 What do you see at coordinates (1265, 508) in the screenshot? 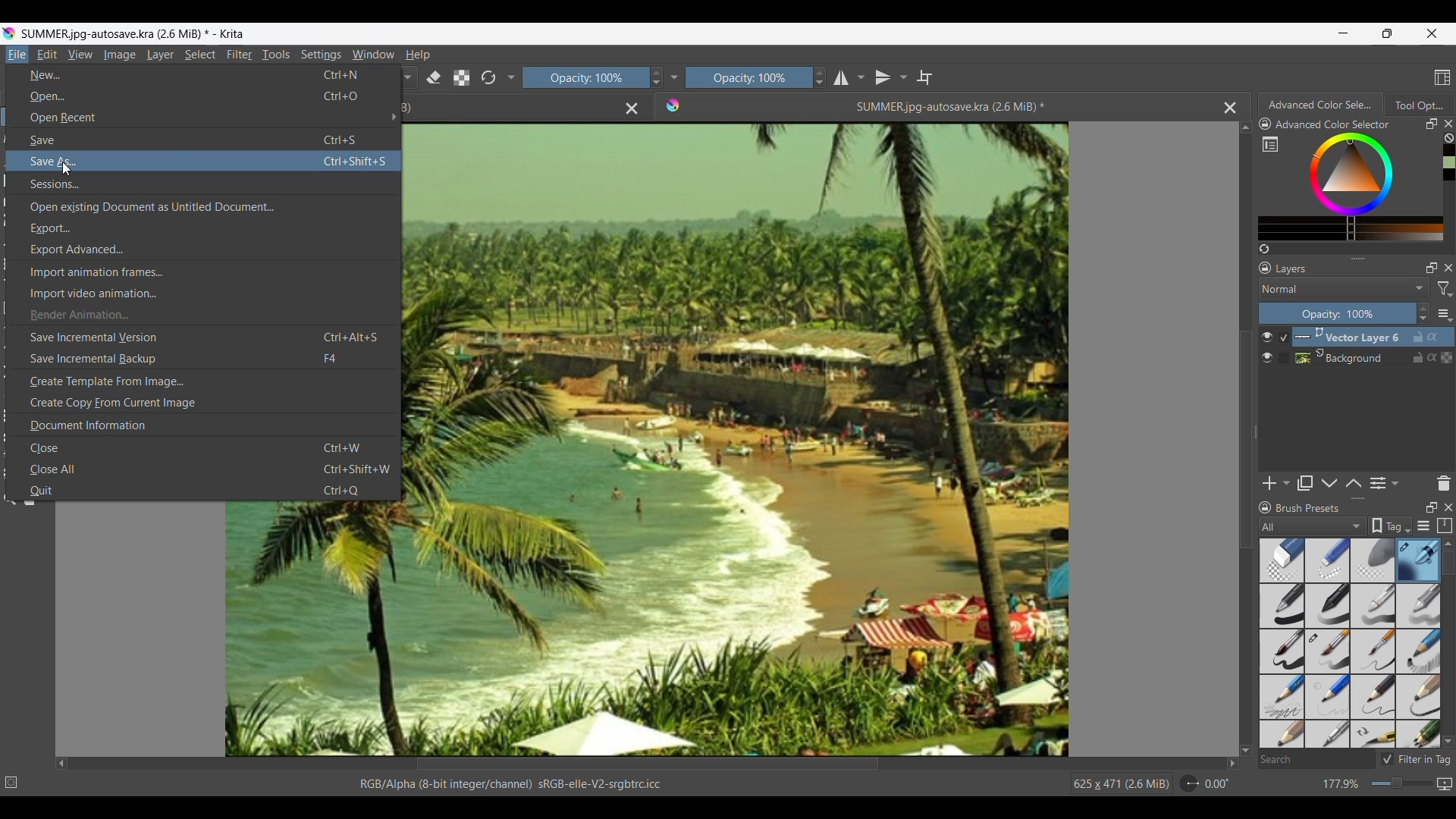
I see `Lock Brush presets panel` at bounding box center [1265, 508].